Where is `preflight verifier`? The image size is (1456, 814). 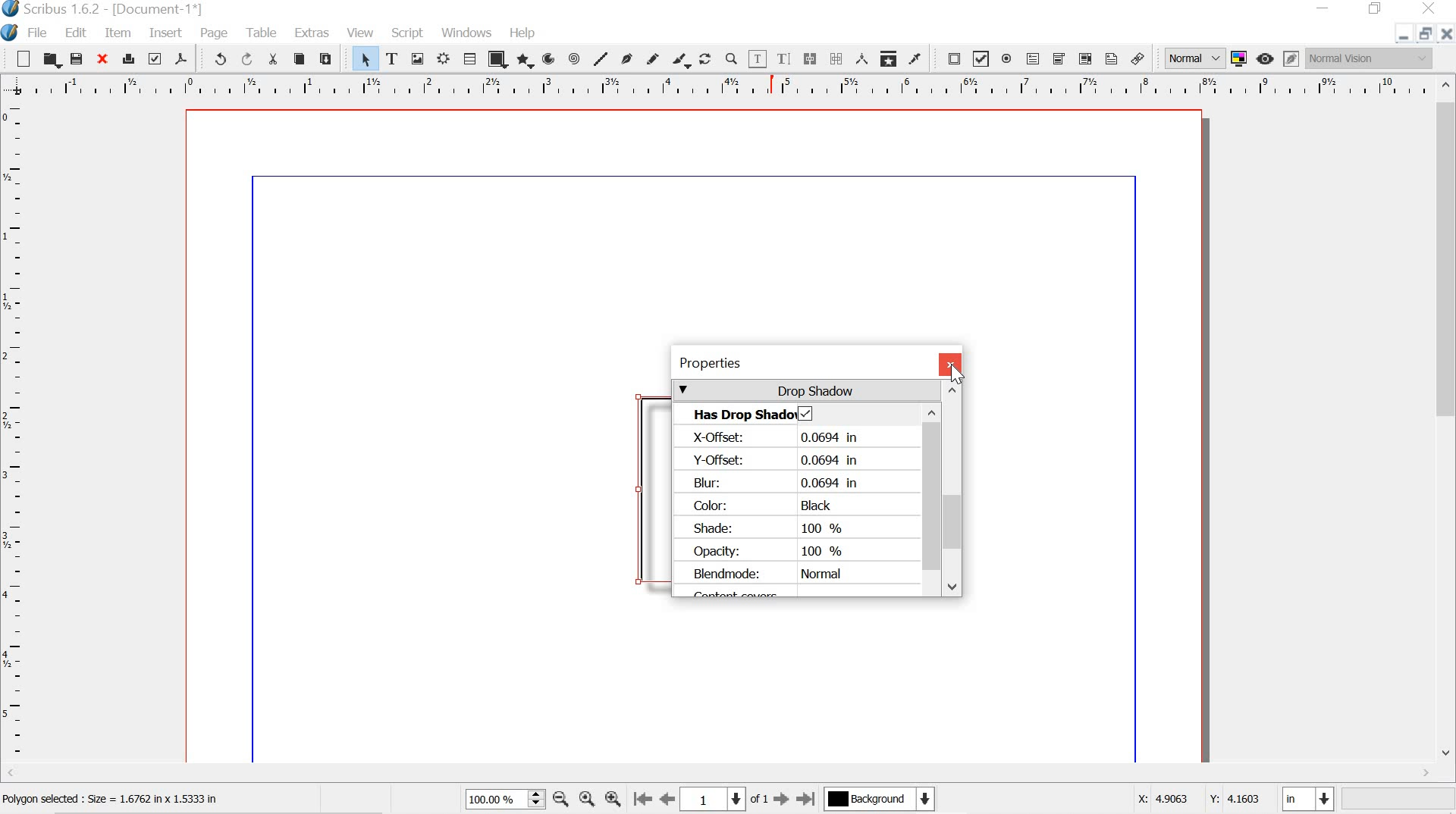 preflight verifier is located at coordinates (155, 58).